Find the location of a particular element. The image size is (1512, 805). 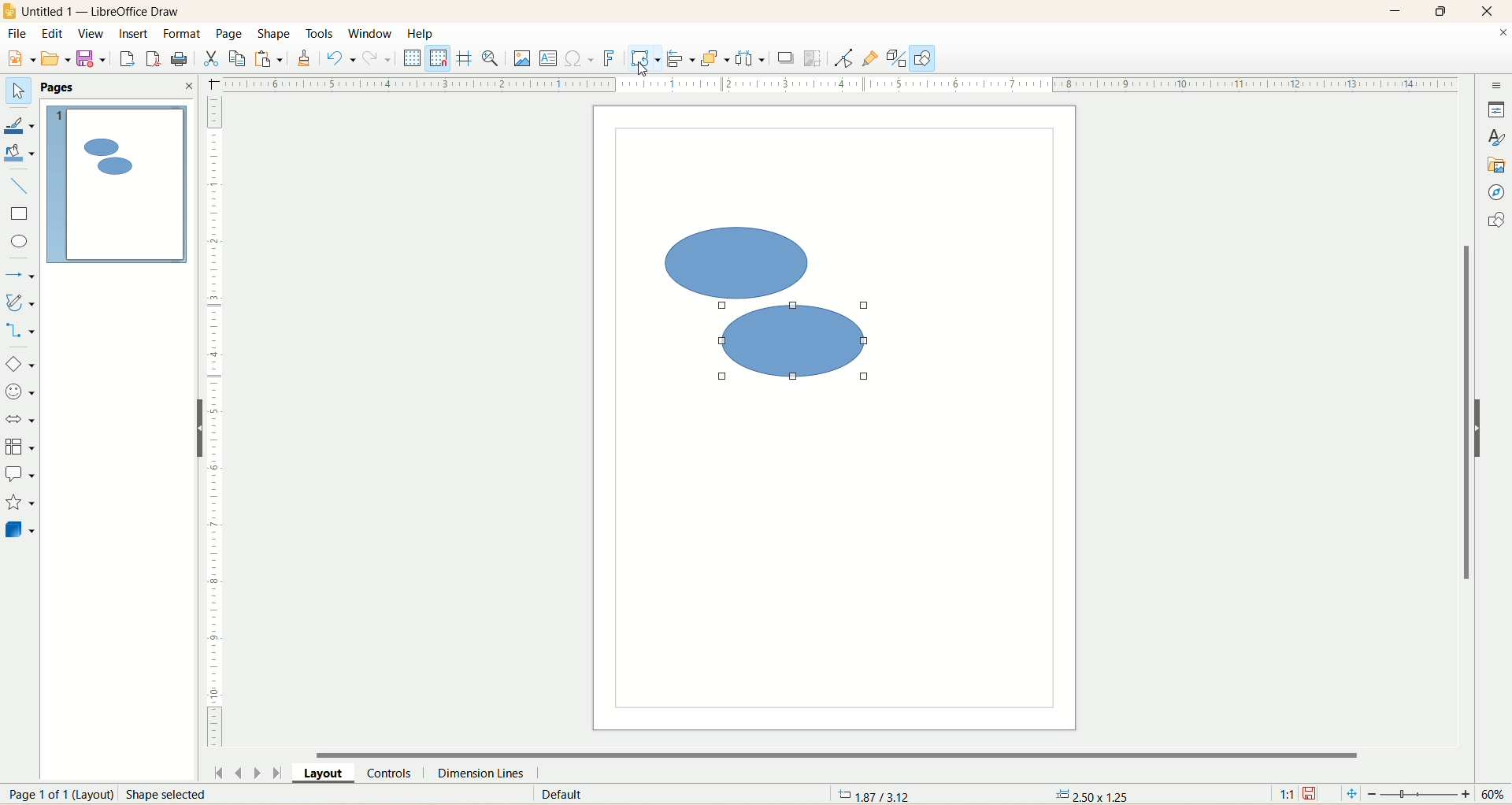

page is located at coordinates (233, 33).